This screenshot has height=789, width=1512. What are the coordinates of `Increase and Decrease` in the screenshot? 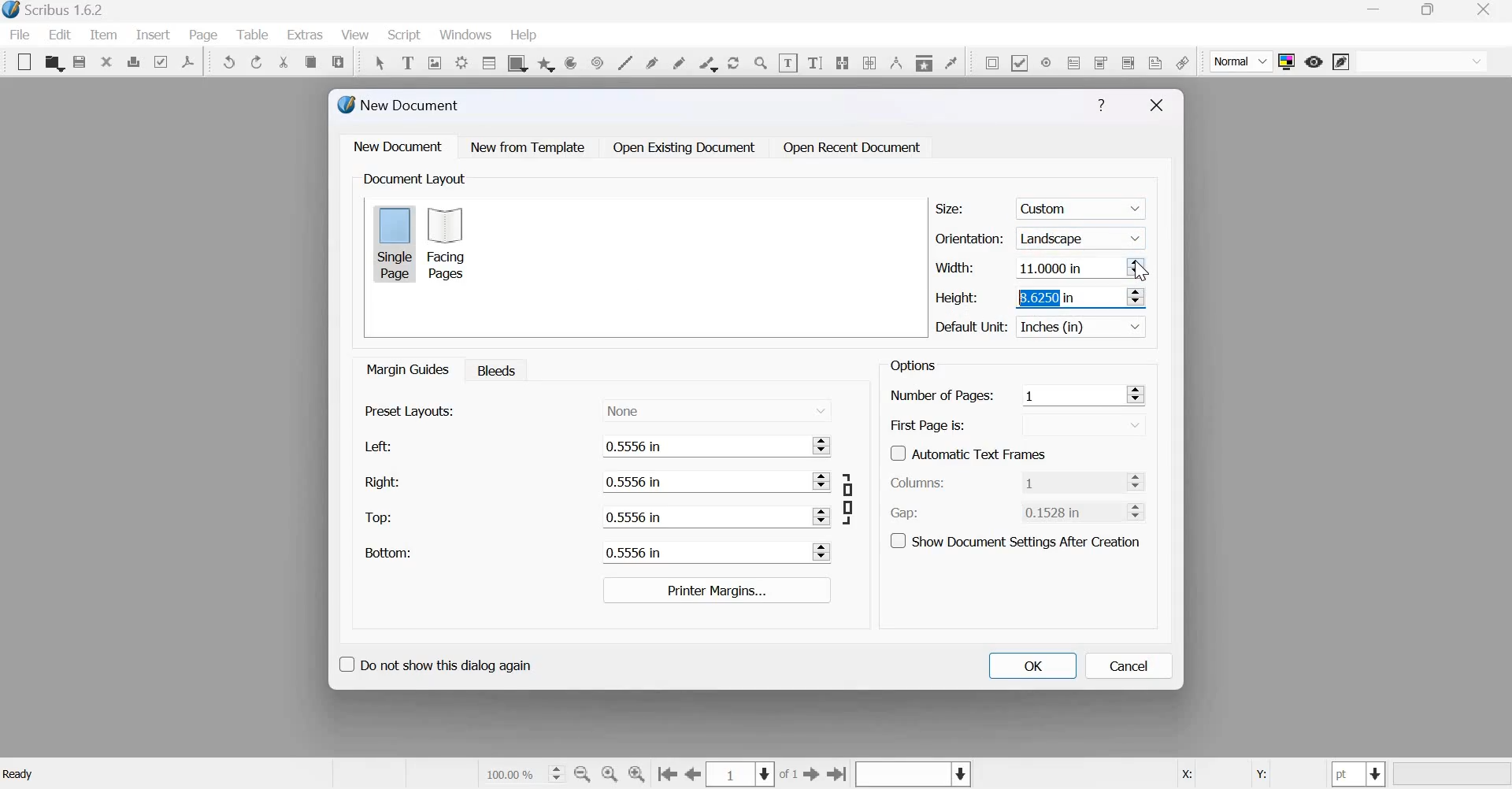 It's located at (822, 516).